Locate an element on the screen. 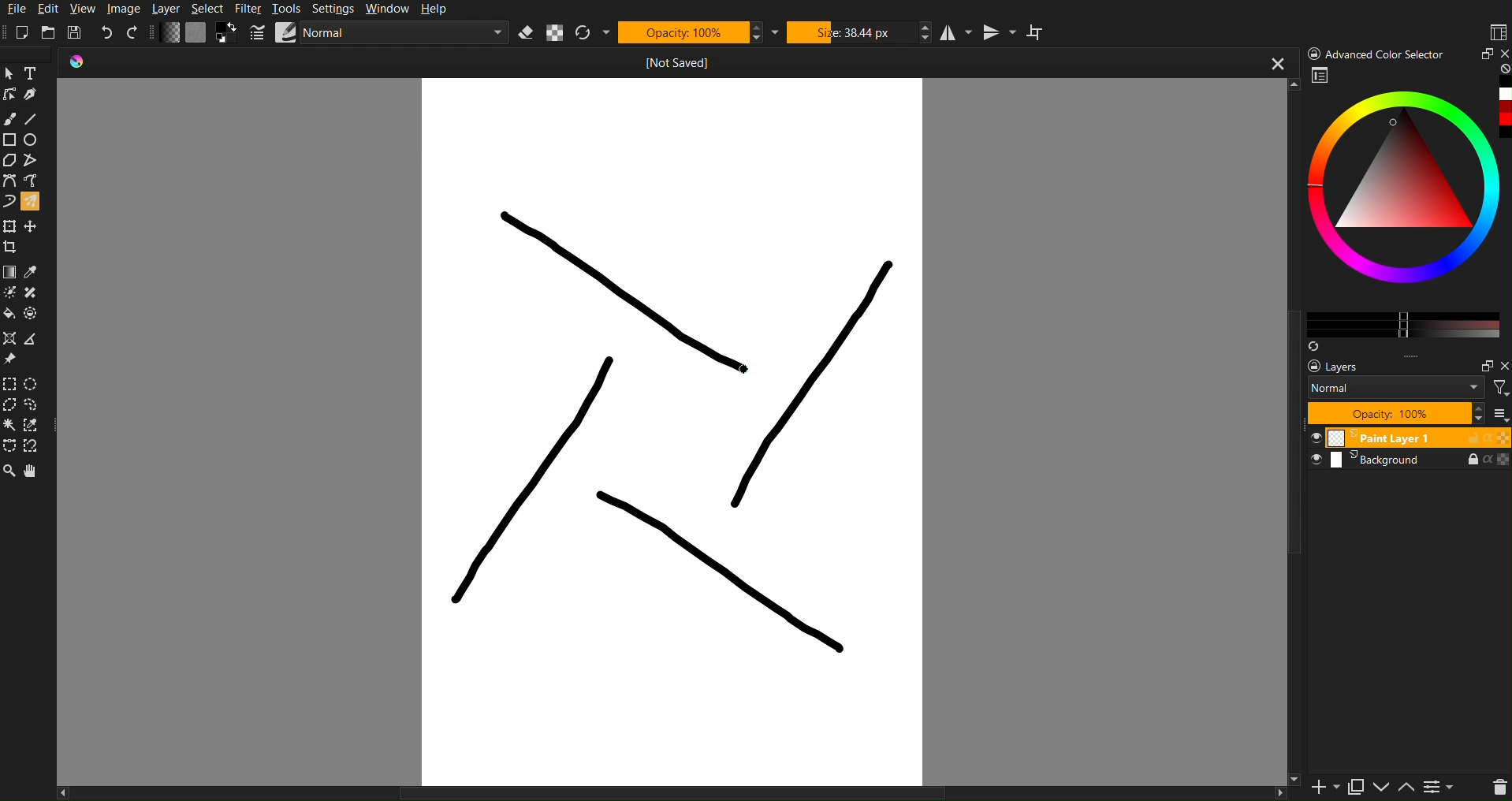  Eclipse is located at coordinates (35, 140).